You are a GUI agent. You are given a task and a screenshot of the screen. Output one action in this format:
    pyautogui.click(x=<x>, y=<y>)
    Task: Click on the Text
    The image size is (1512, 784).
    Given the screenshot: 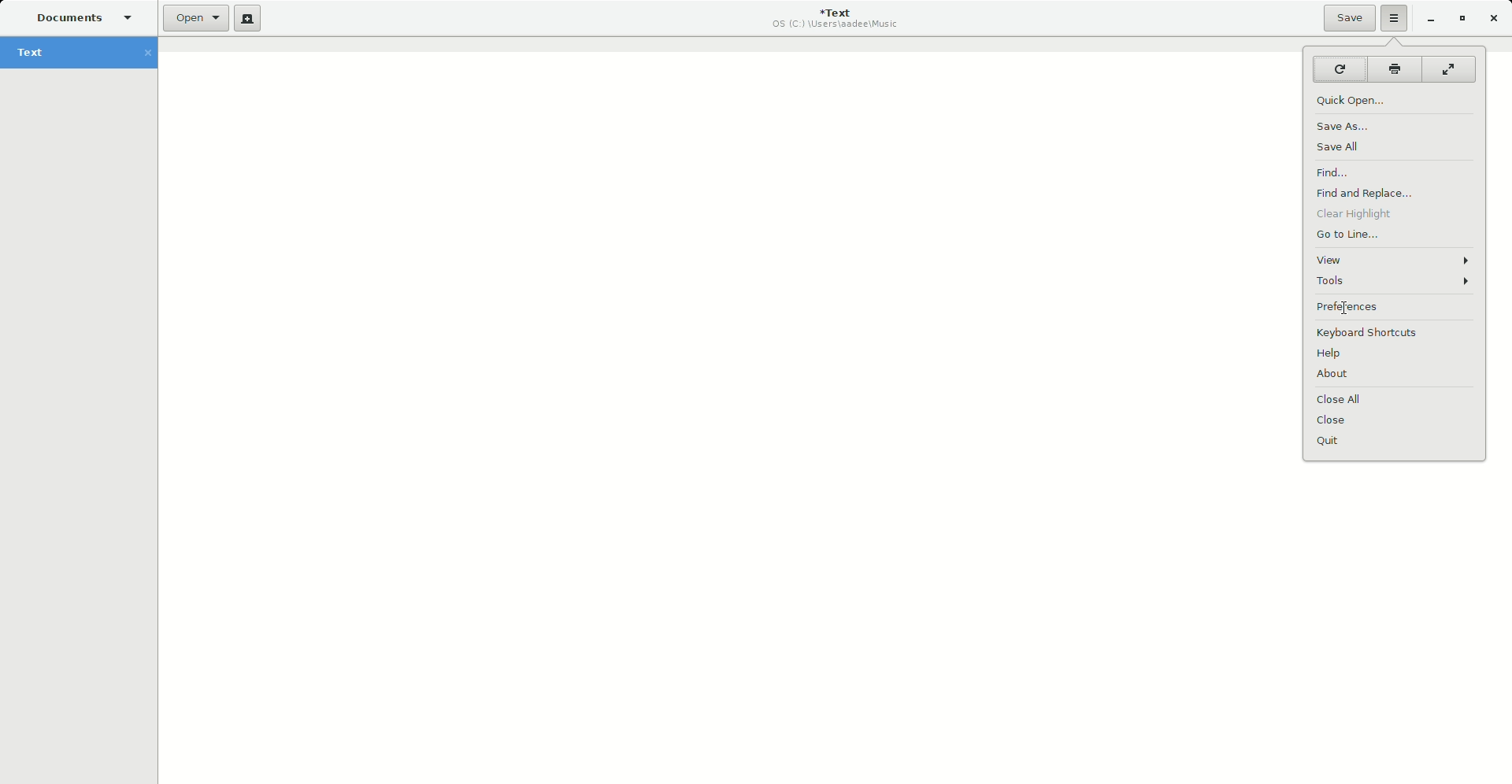 What is the action you would take?
    pyautogui.click(x=85, y=54)
    